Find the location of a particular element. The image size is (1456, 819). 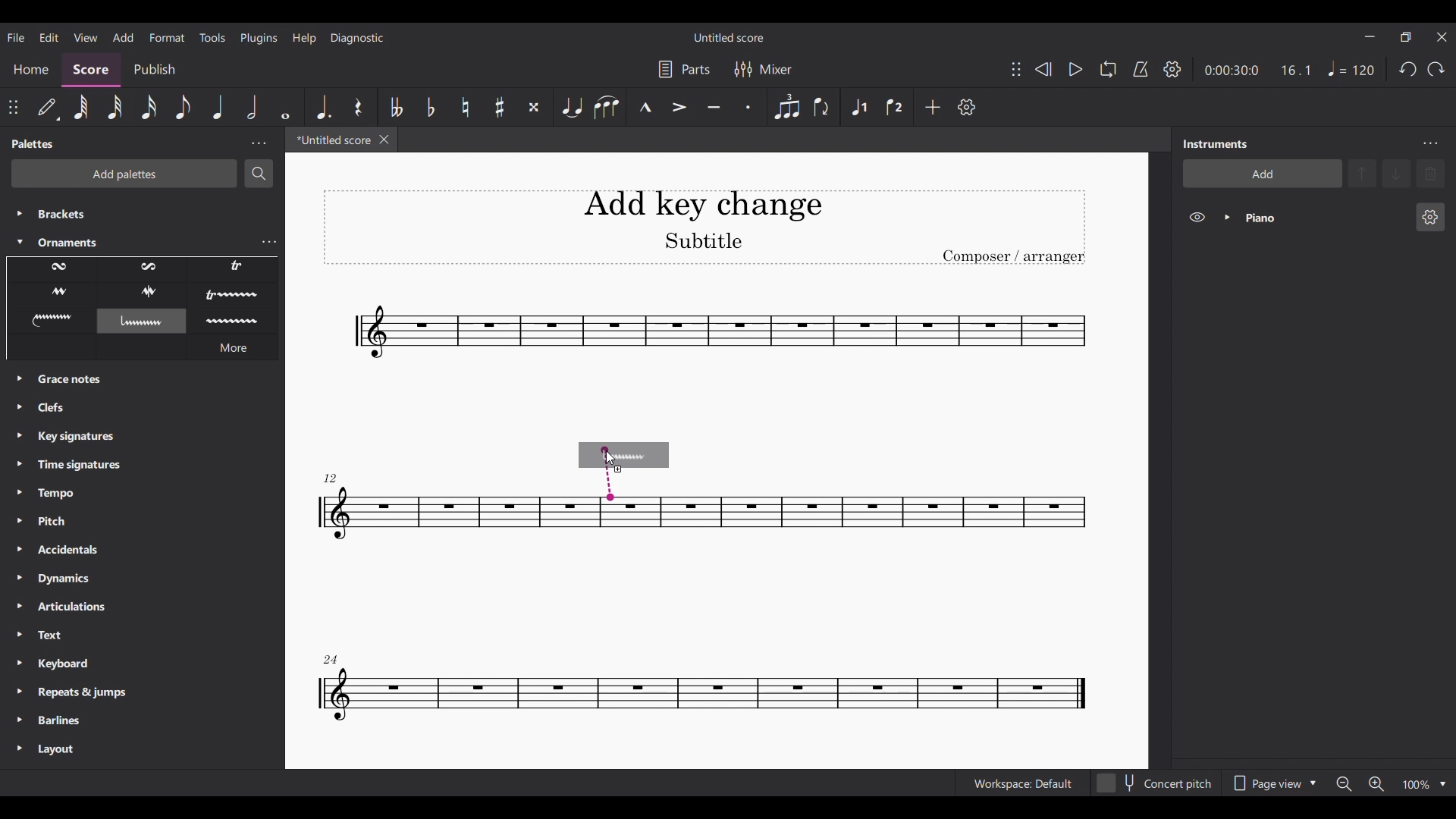

Current tab is located at coordinates (331, 140).